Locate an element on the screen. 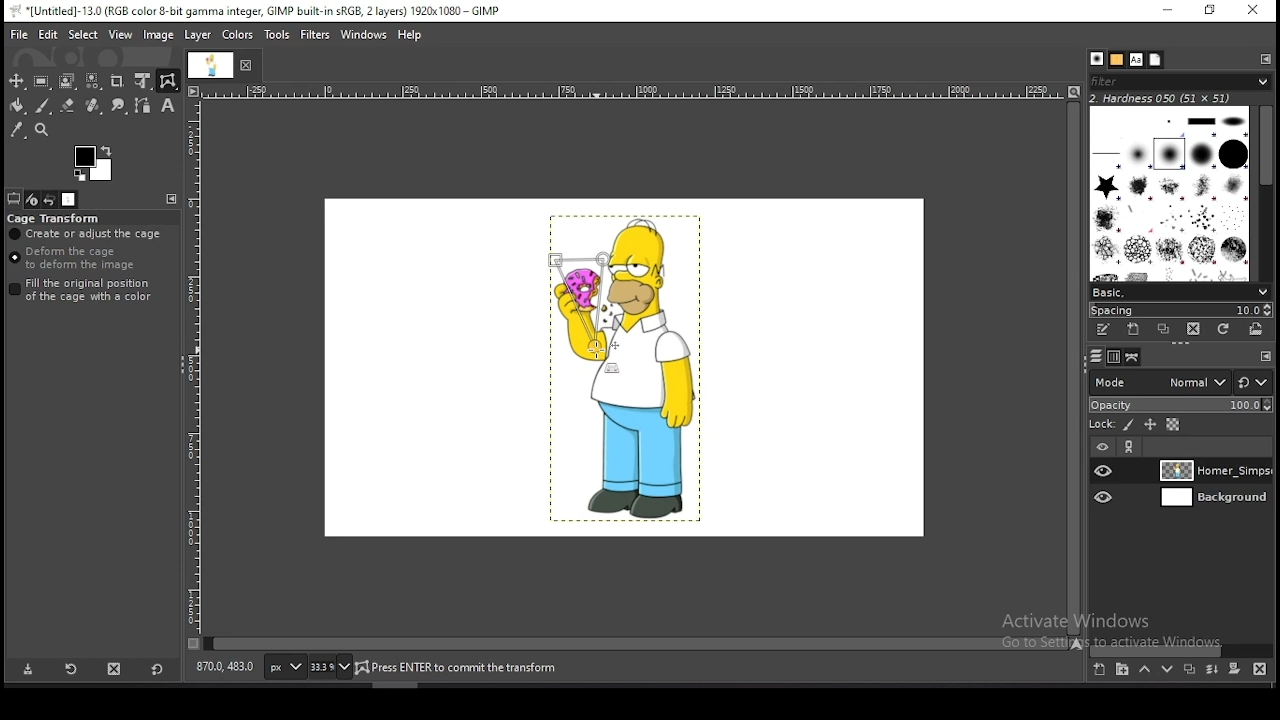 The image size is (1280, 720). 735.0, 195.0 is located at coordinates (225, 665).